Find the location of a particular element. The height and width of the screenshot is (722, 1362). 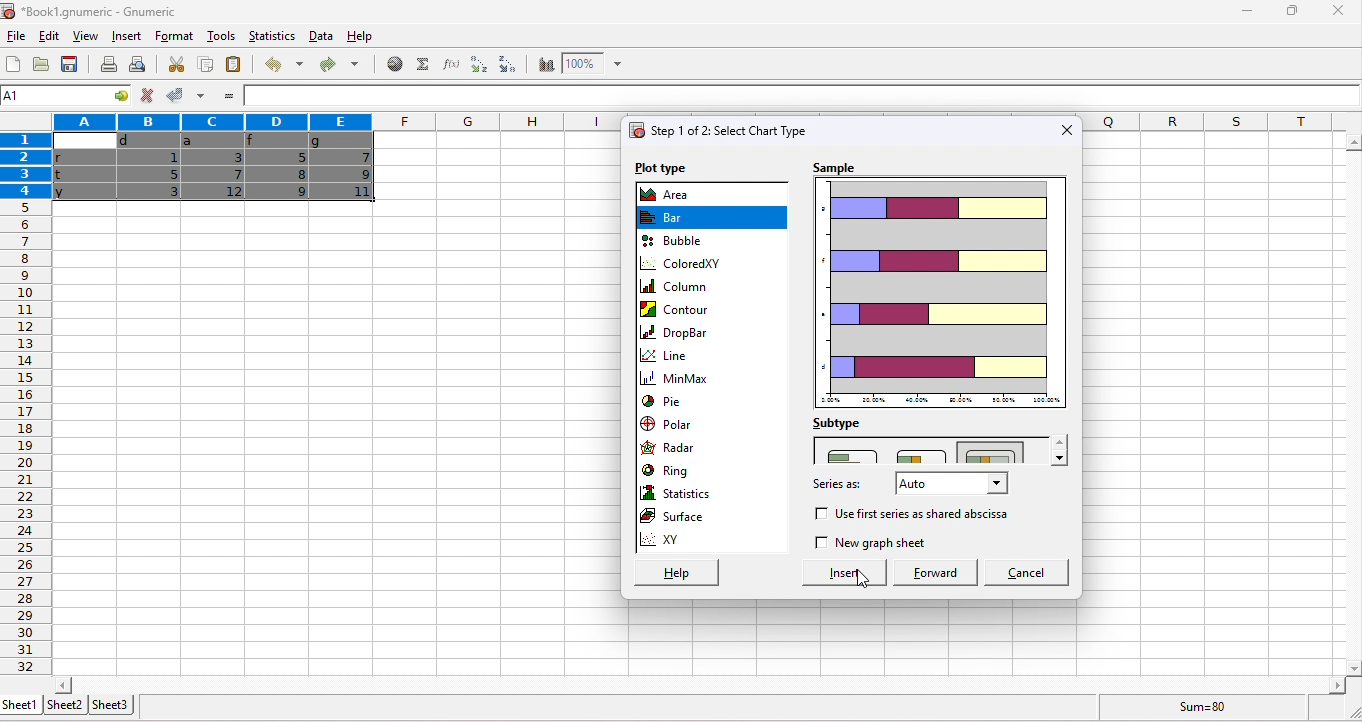

use 1st series as abscissa is located at coordinates (926, 515).